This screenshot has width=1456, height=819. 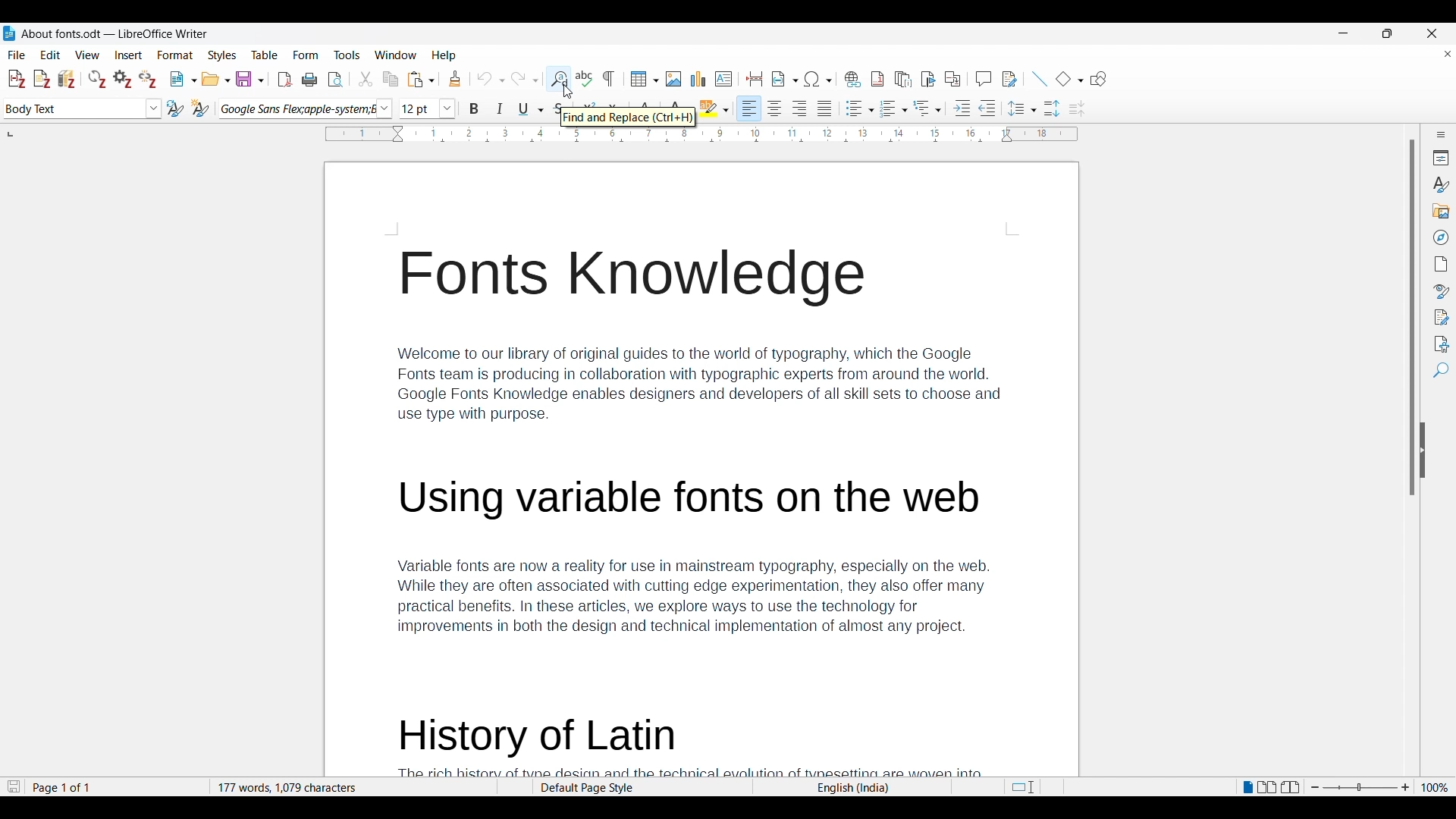 What do you see at coordinates (153, 108) in the screenshot?
I see `Paragraph style options` at bounding box center [153, 108].